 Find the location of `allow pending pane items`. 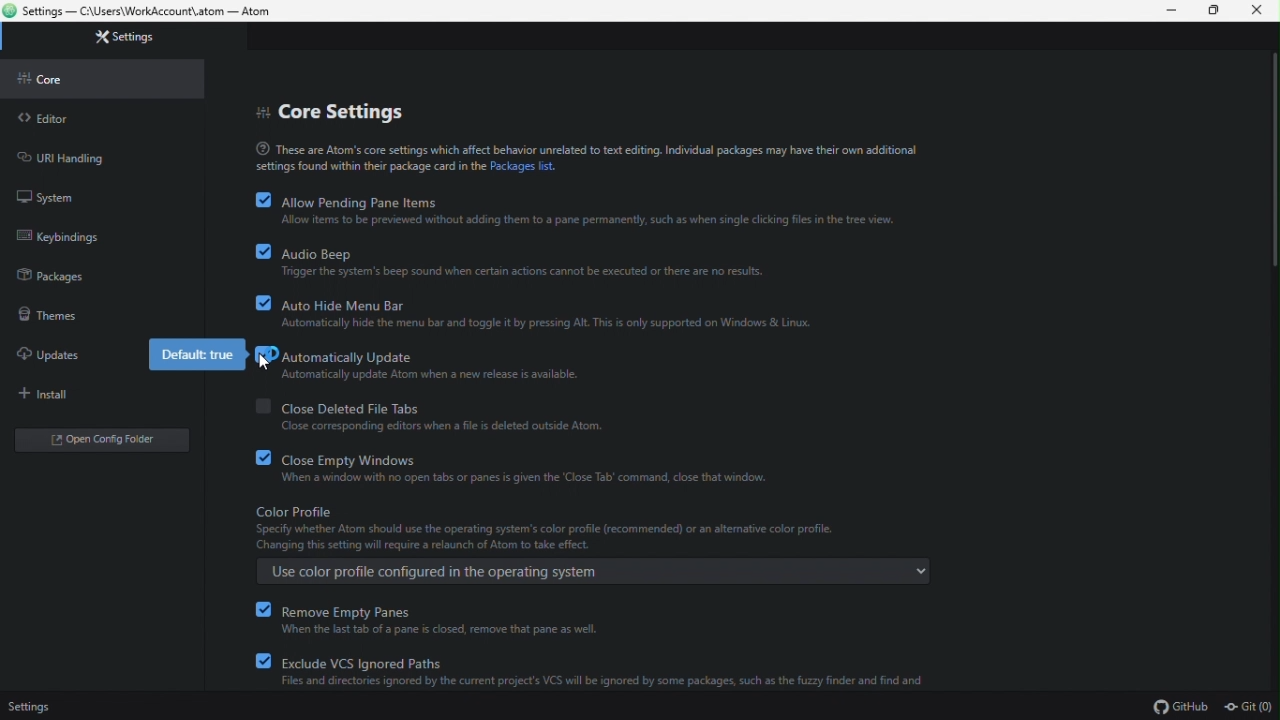

allow pending pane items is located at coordinates (576, 210).